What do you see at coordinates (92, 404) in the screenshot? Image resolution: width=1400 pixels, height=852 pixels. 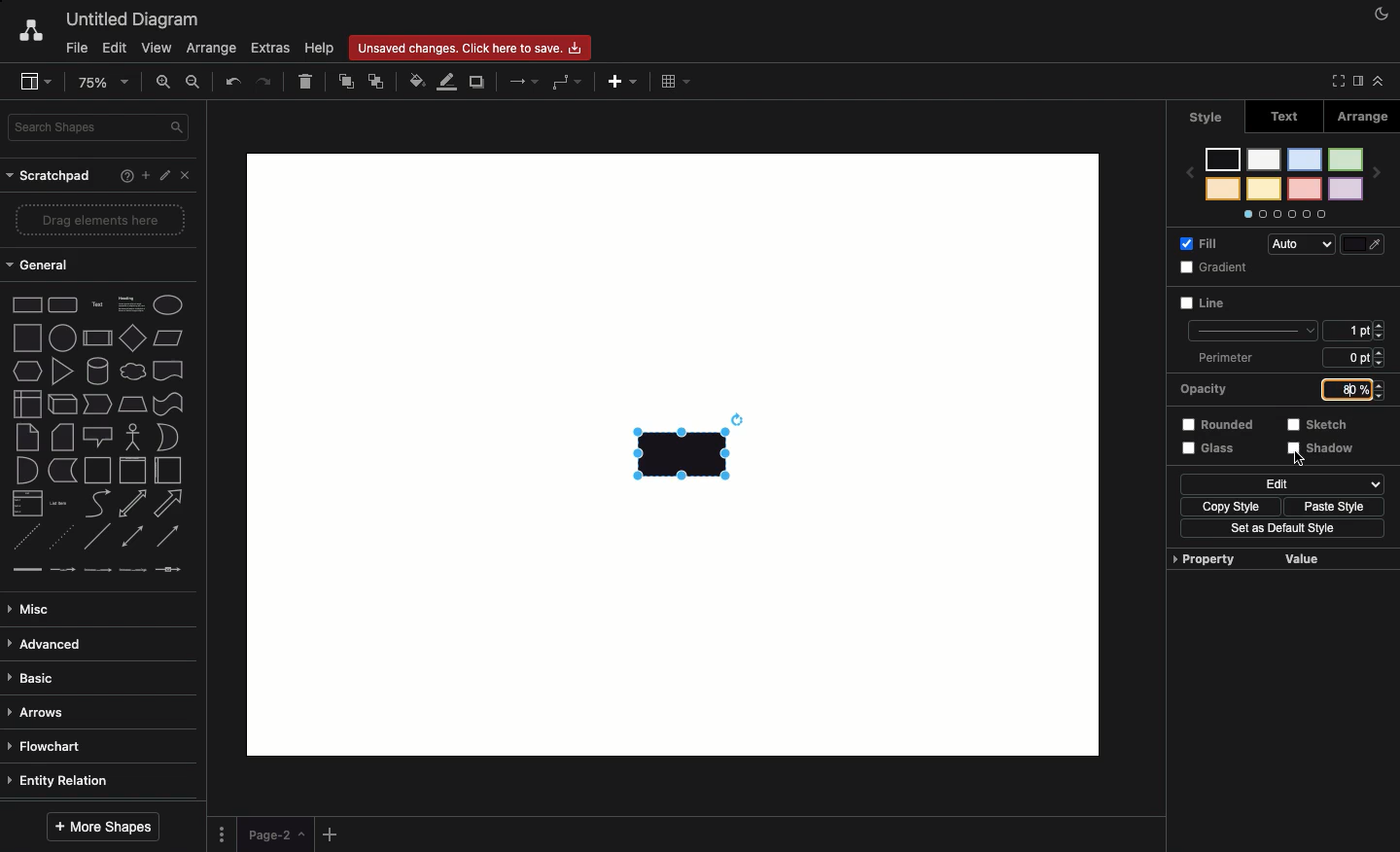 I see `step` at bounding box center [92, 404].